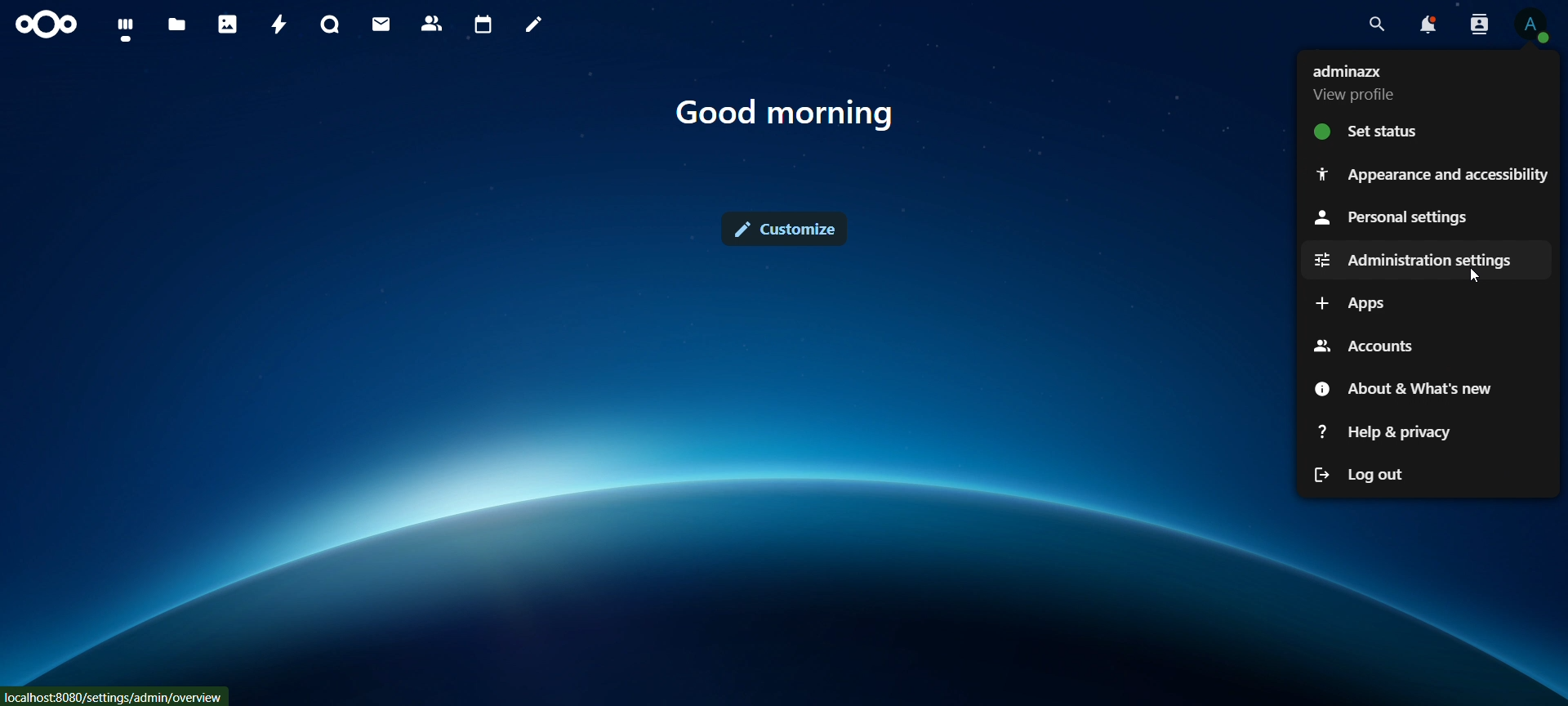 This screenshot has width=1568, height=706. Describe the element at coordinates (1358, 81) in the screenshot. I see `text` at that location.